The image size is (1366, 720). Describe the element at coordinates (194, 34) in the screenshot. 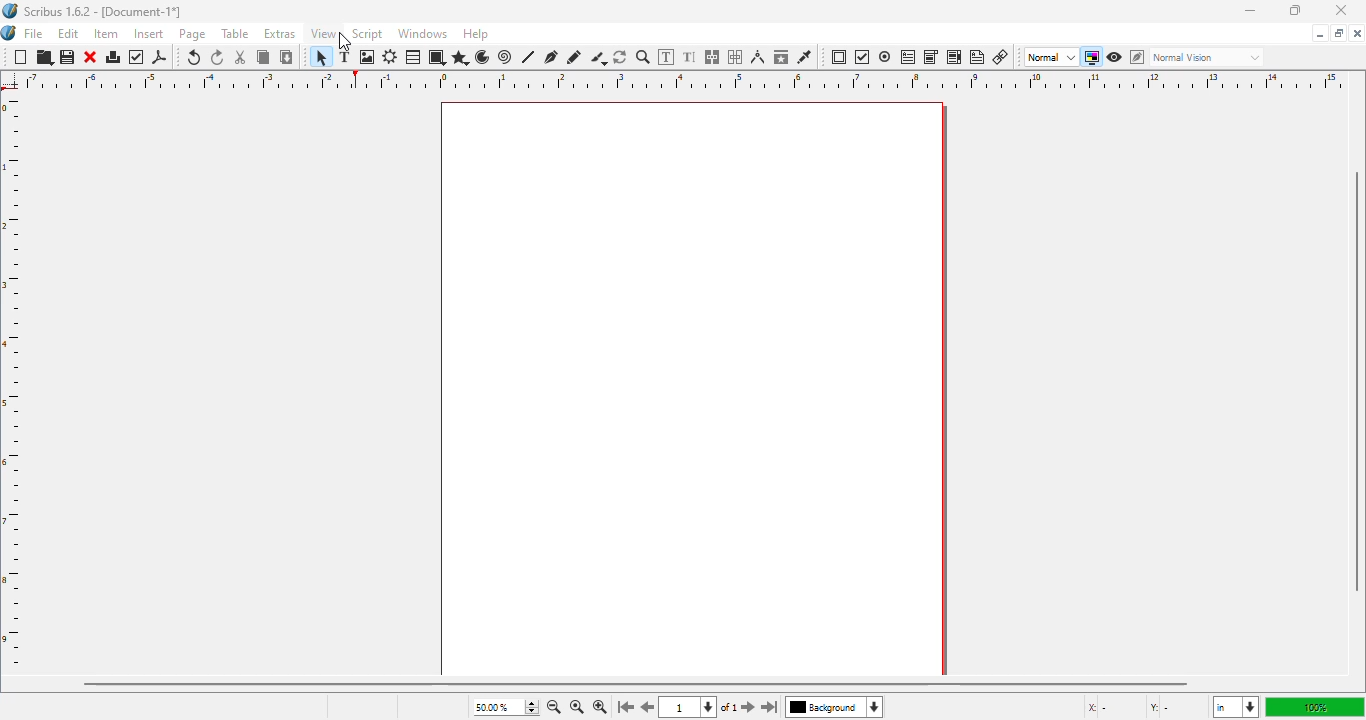

I see `page` at that location.